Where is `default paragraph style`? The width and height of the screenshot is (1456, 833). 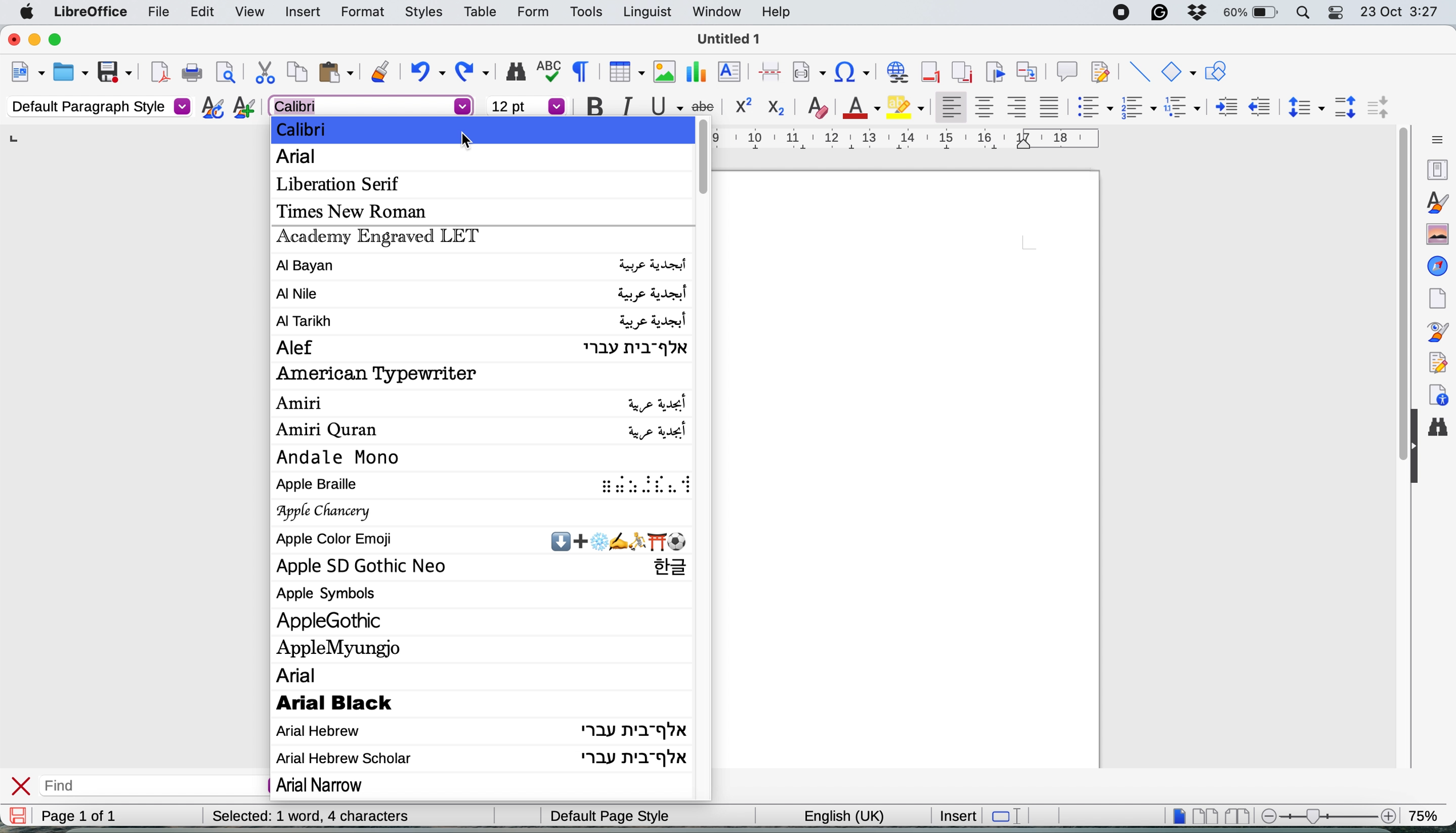
default paragraph style is located at coordinates (97, 108).